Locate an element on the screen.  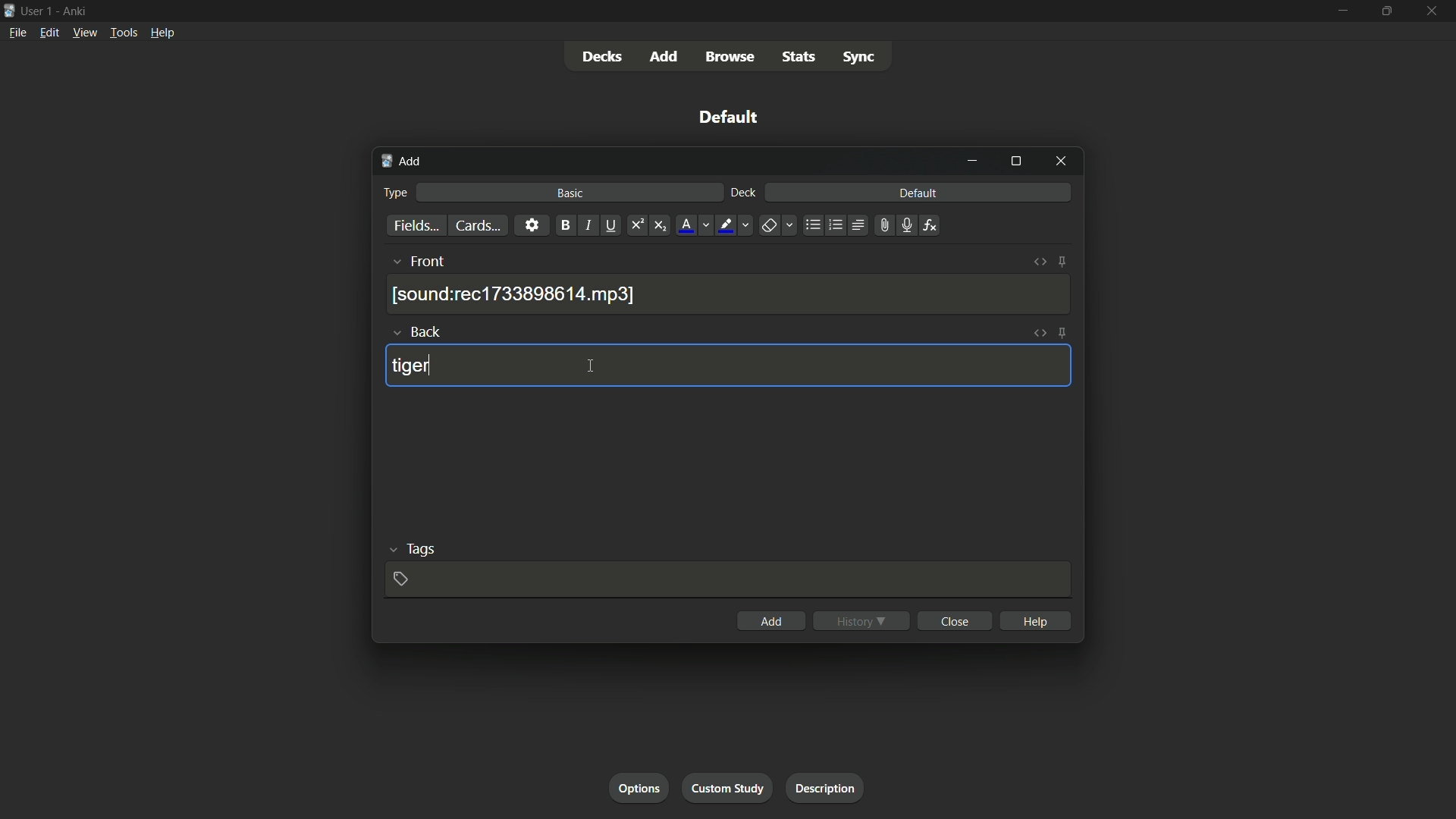
help is located at coordinates (1035, 620).